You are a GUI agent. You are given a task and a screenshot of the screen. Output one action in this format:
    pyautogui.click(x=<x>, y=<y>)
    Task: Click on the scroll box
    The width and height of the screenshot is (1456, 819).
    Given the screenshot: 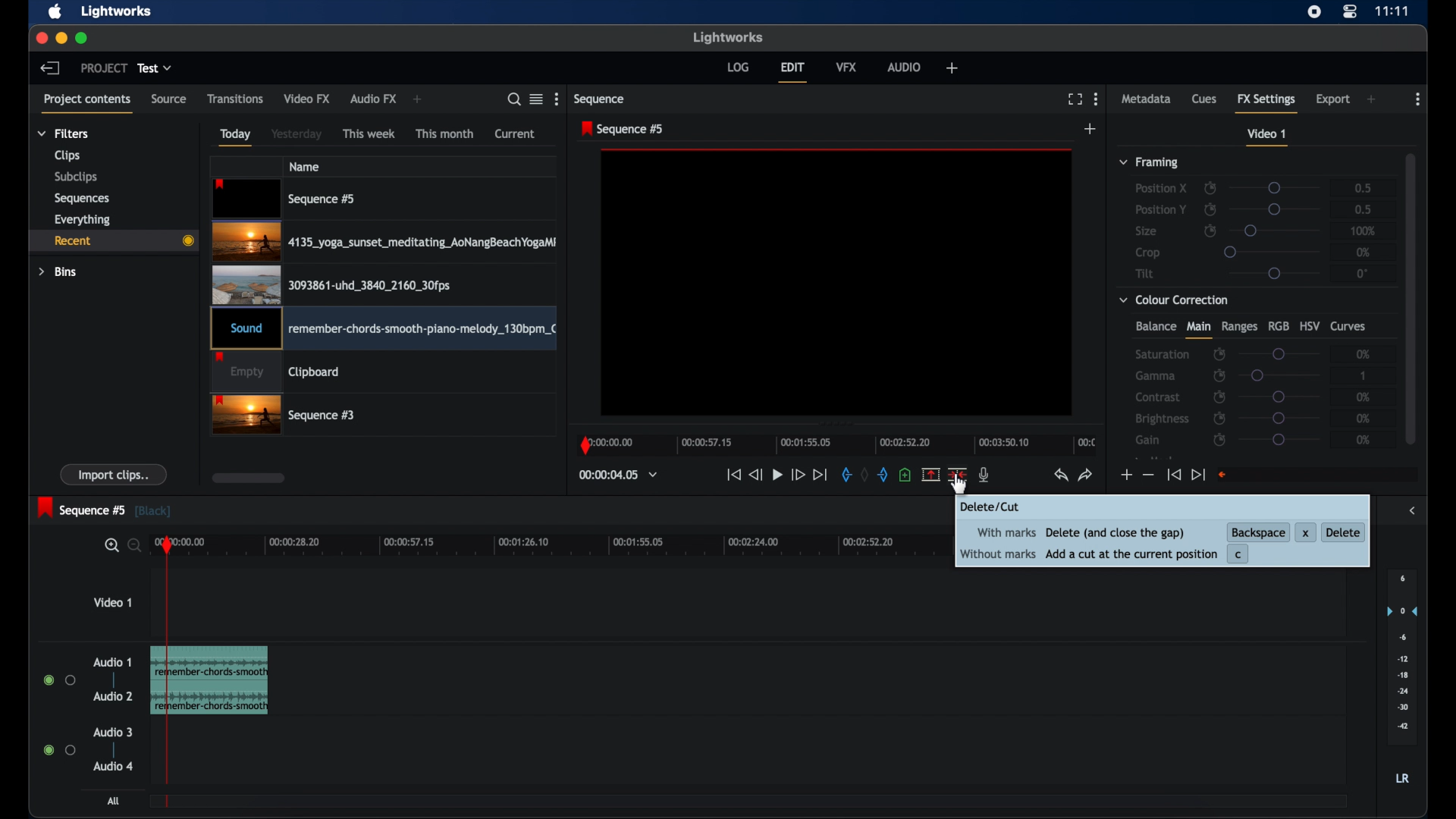 What is the action you would take?
    pyautogui.click(x=249, y=478)
    